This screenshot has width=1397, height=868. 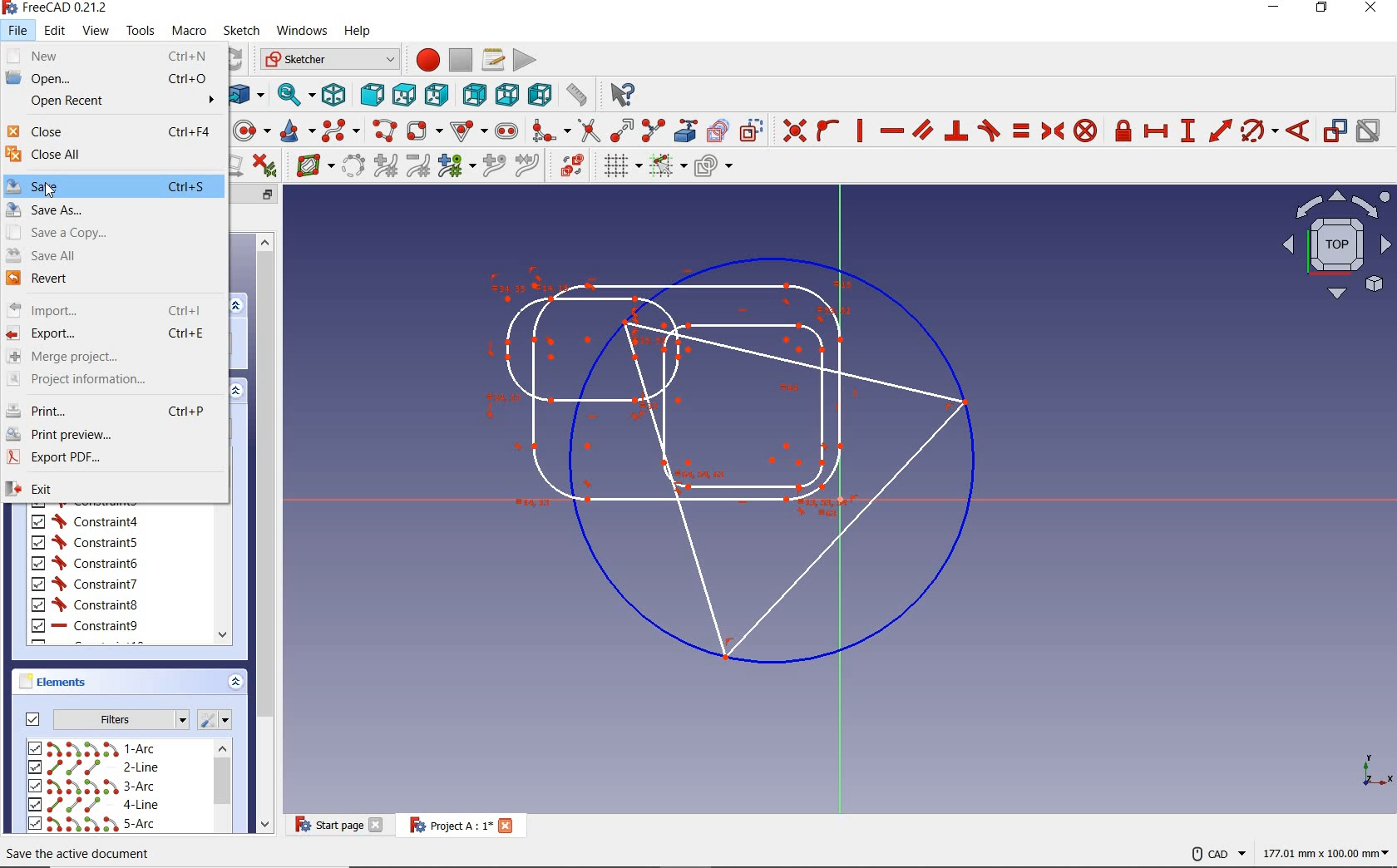 I want to click on constrain horizontal distance, so click(x=1155, y=132).